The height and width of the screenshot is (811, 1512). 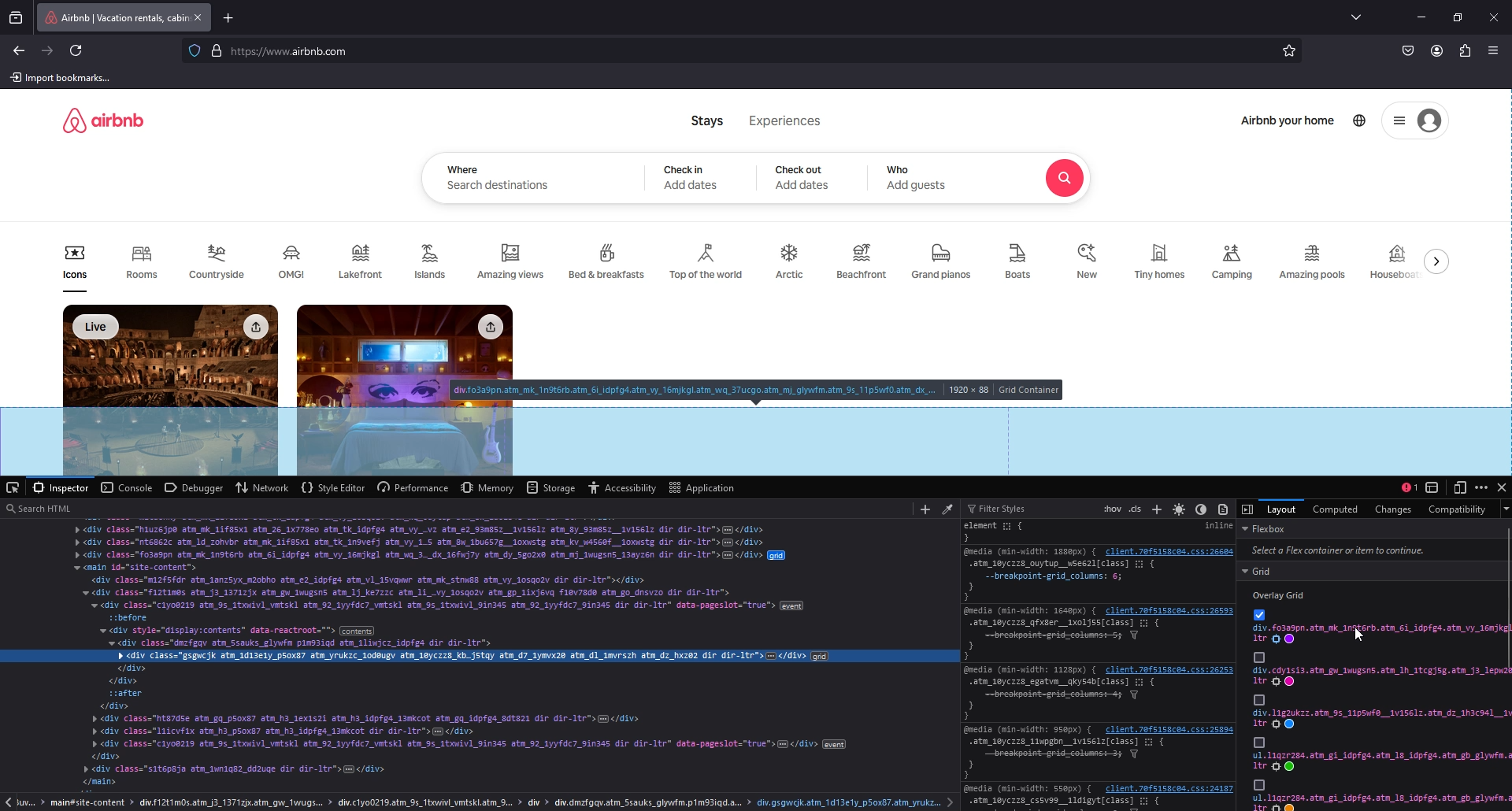 I want to click on , so click(x=1258, y=785).